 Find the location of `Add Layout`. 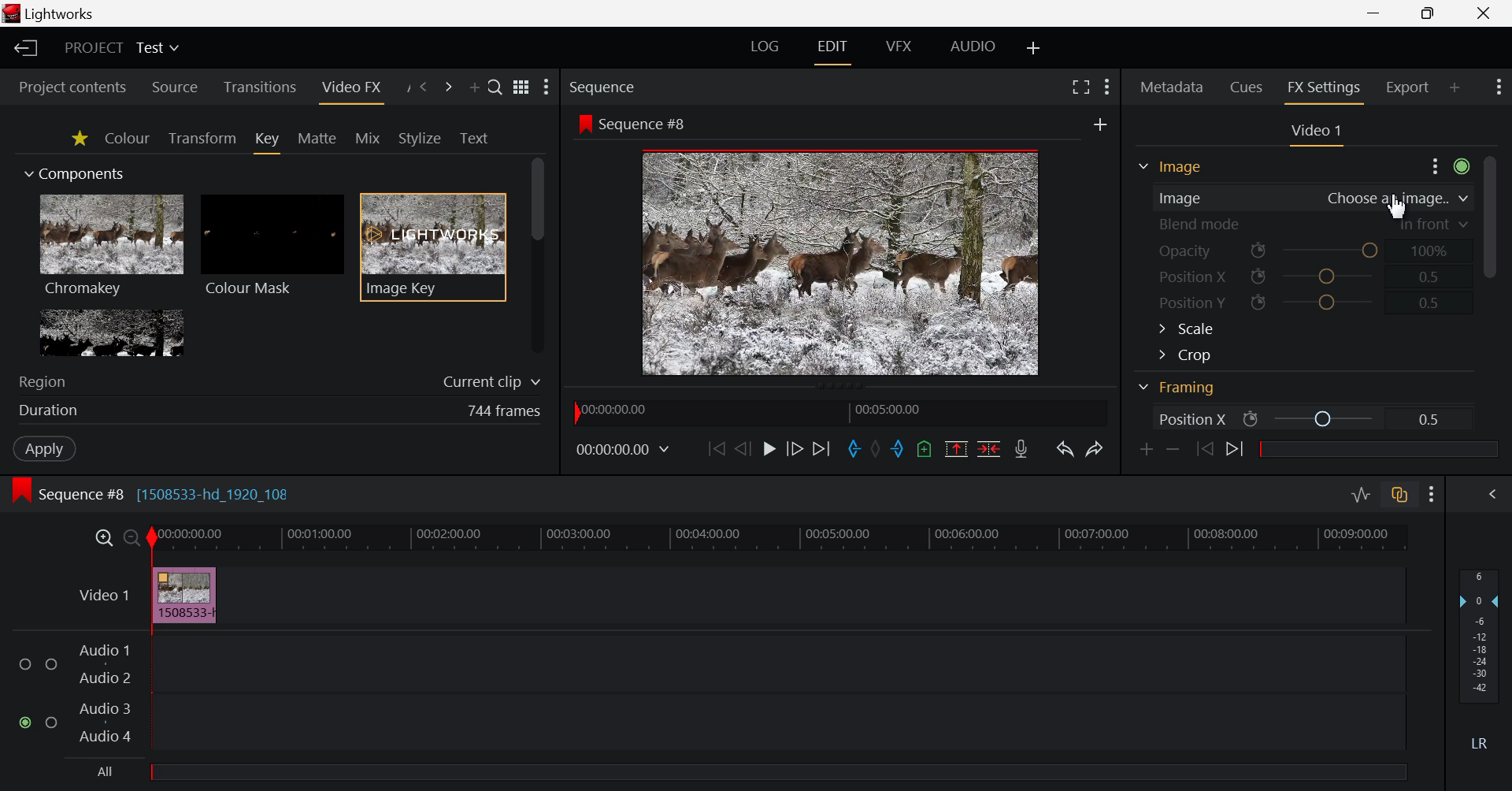

Add Layout is located at coordinates (1032, 45).